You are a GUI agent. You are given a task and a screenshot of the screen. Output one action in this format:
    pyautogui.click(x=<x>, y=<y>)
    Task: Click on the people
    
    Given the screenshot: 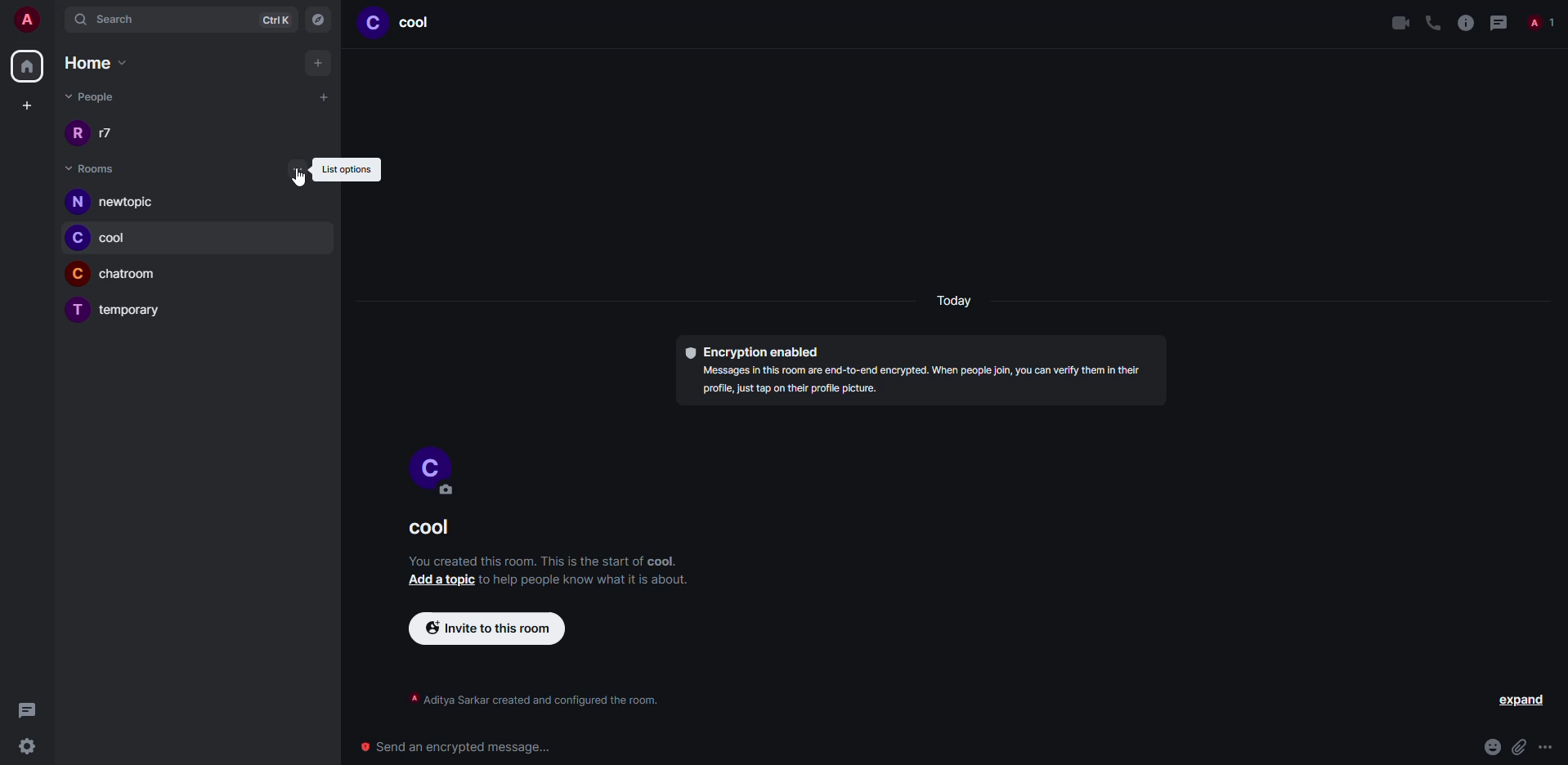 What is the action you would take?
    pyautogui.click(x=113, y=134)
    